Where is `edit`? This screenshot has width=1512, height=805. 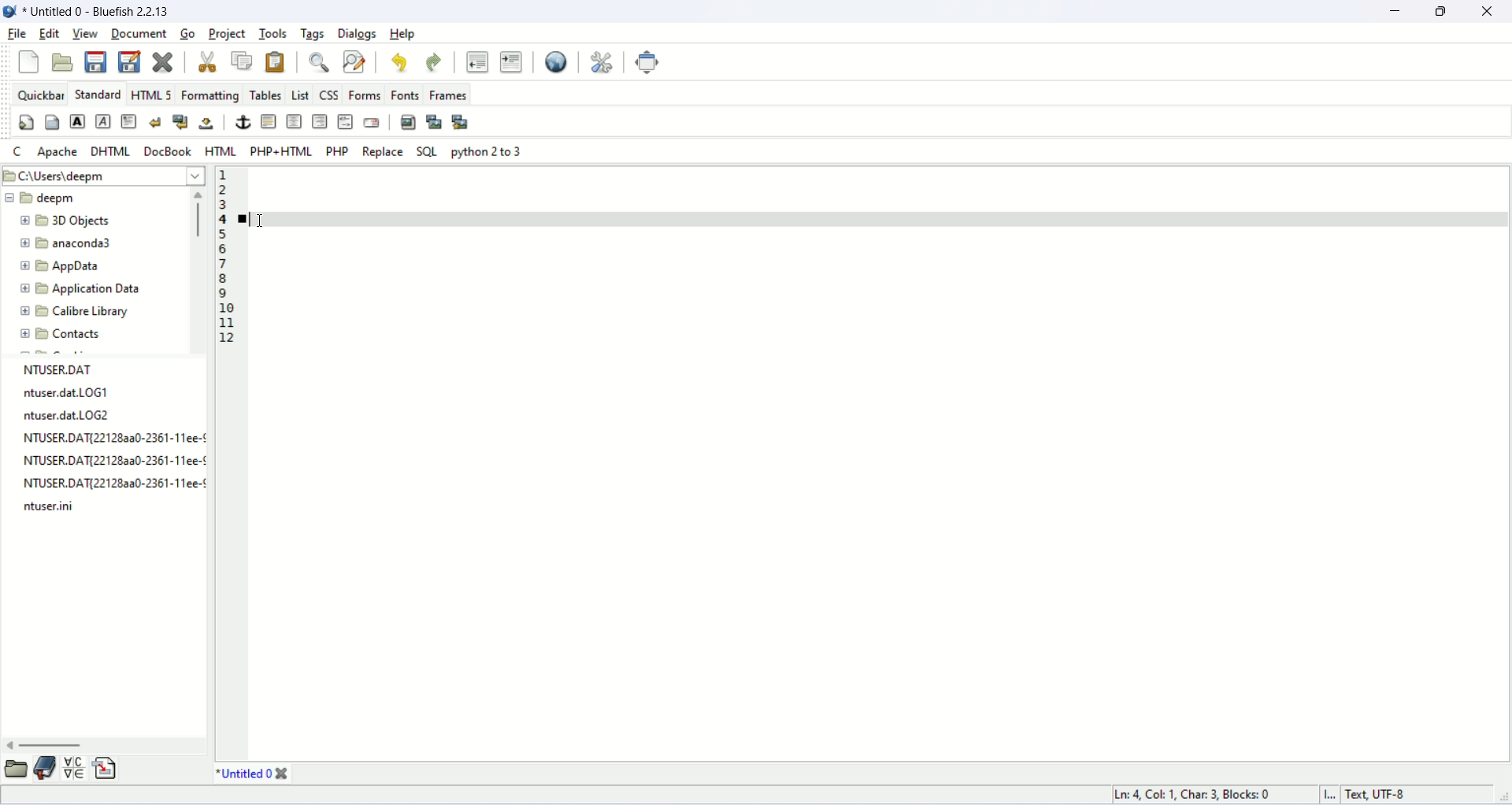
edit is located at coordinates (50, 32).